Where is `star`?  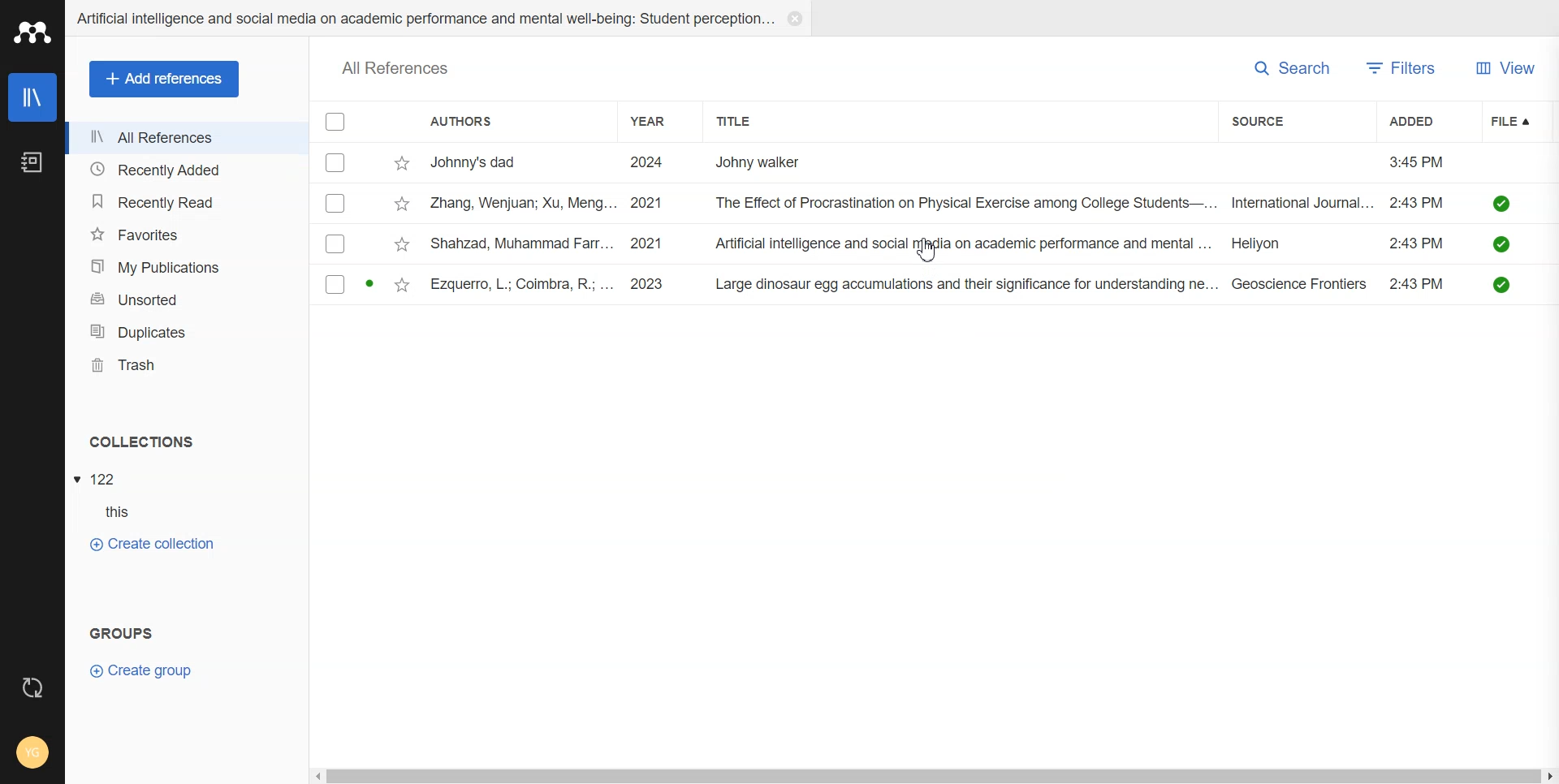
star is located at coordinates (401, 205).